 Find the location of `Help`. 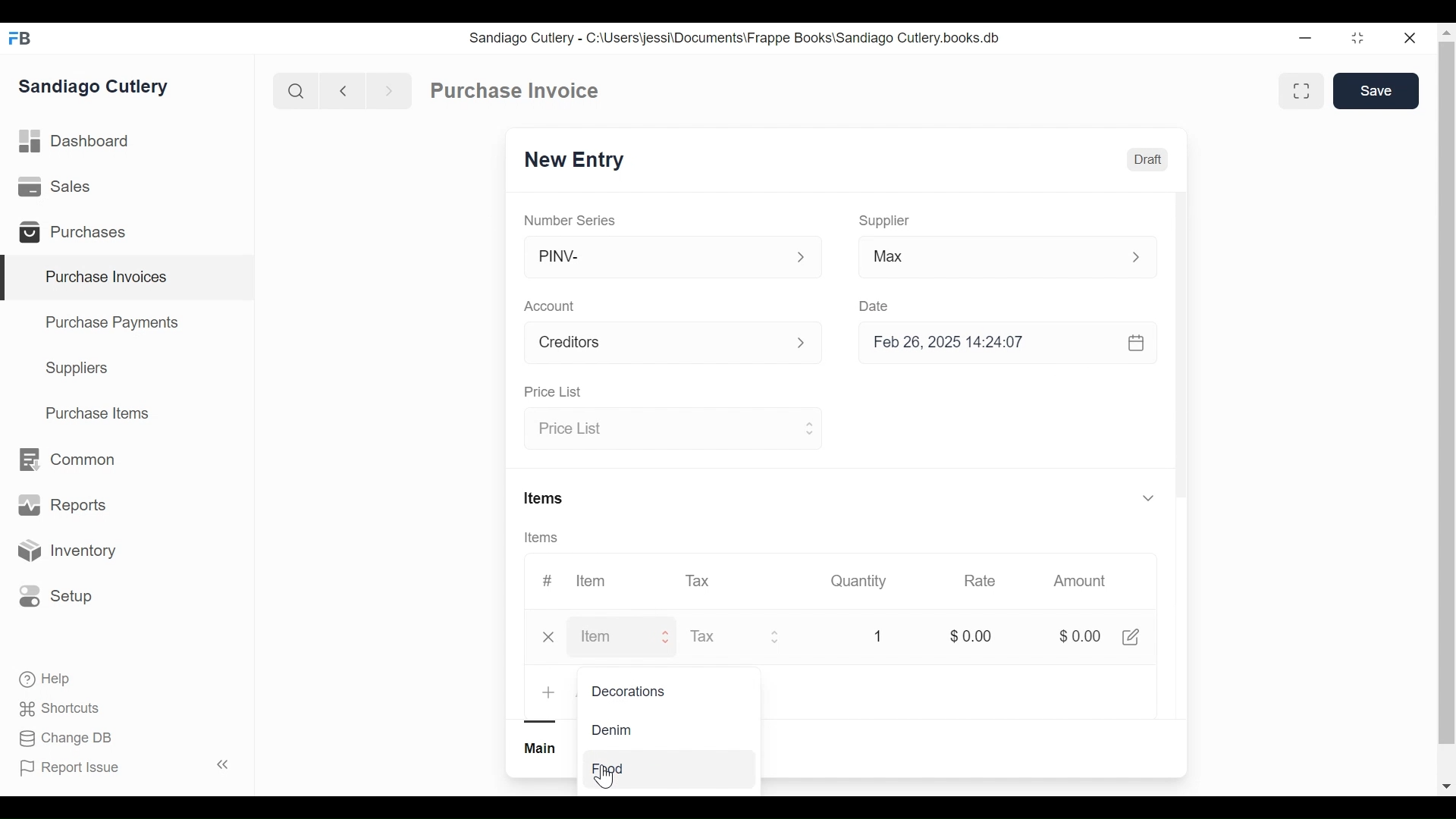

Help is located at coordinates (46, 679).